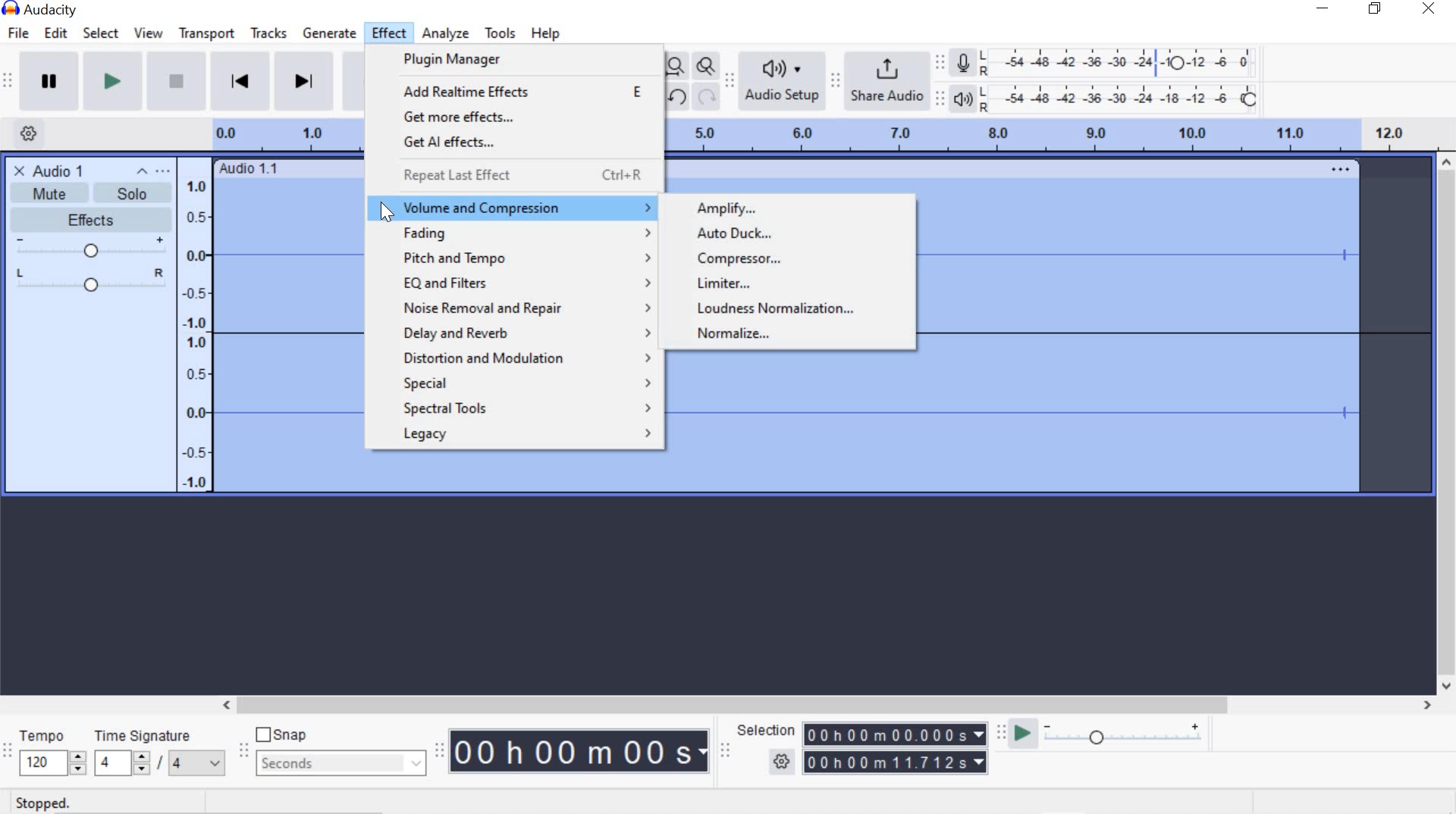 This screenshot has width=1456, height=814. I want to click on Selection Toolbar, so click(724, 750).